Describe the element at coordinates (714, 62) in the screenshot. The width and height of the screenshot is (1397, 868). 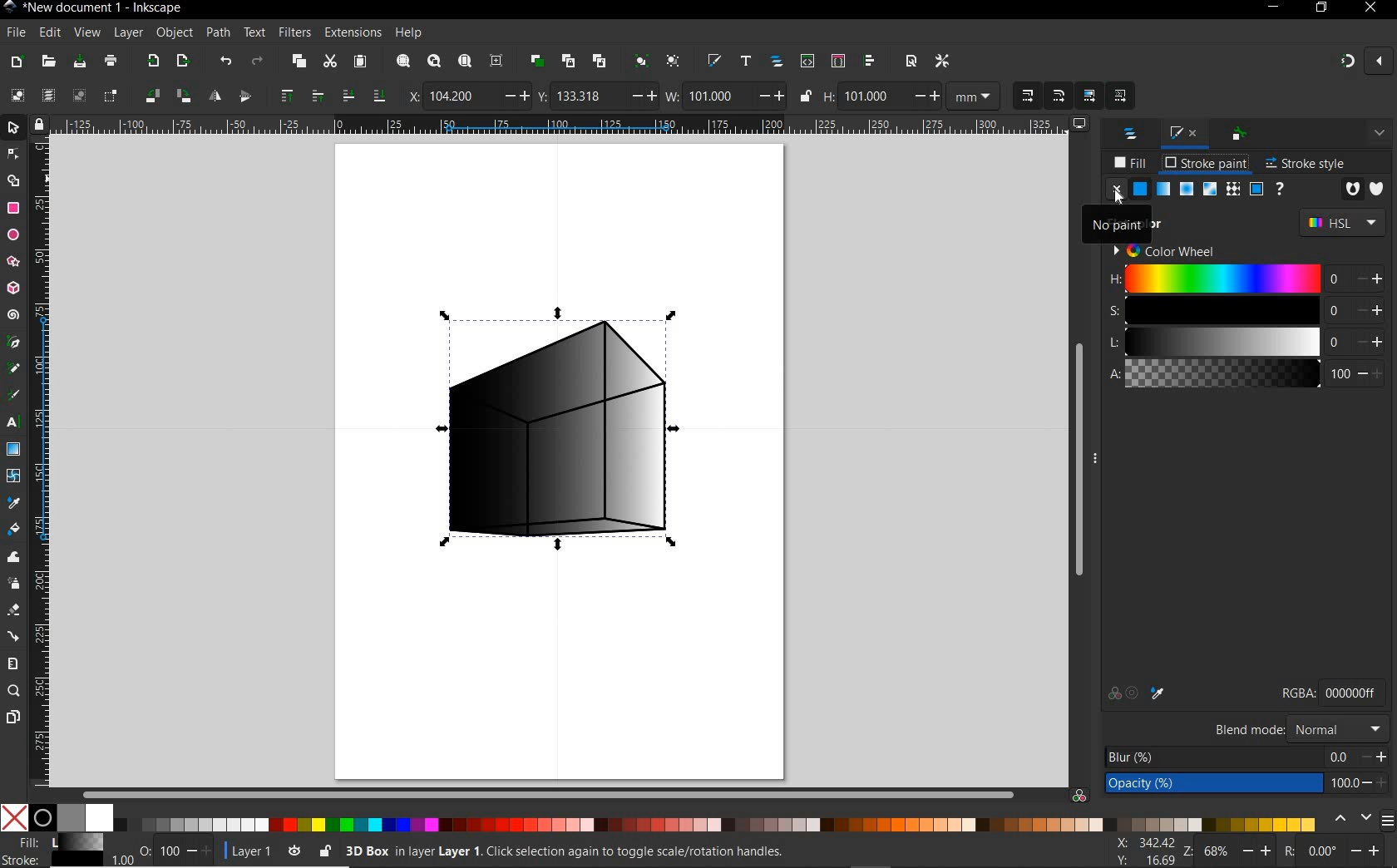
I see `OPEN FILL AND STROKE` at that location.